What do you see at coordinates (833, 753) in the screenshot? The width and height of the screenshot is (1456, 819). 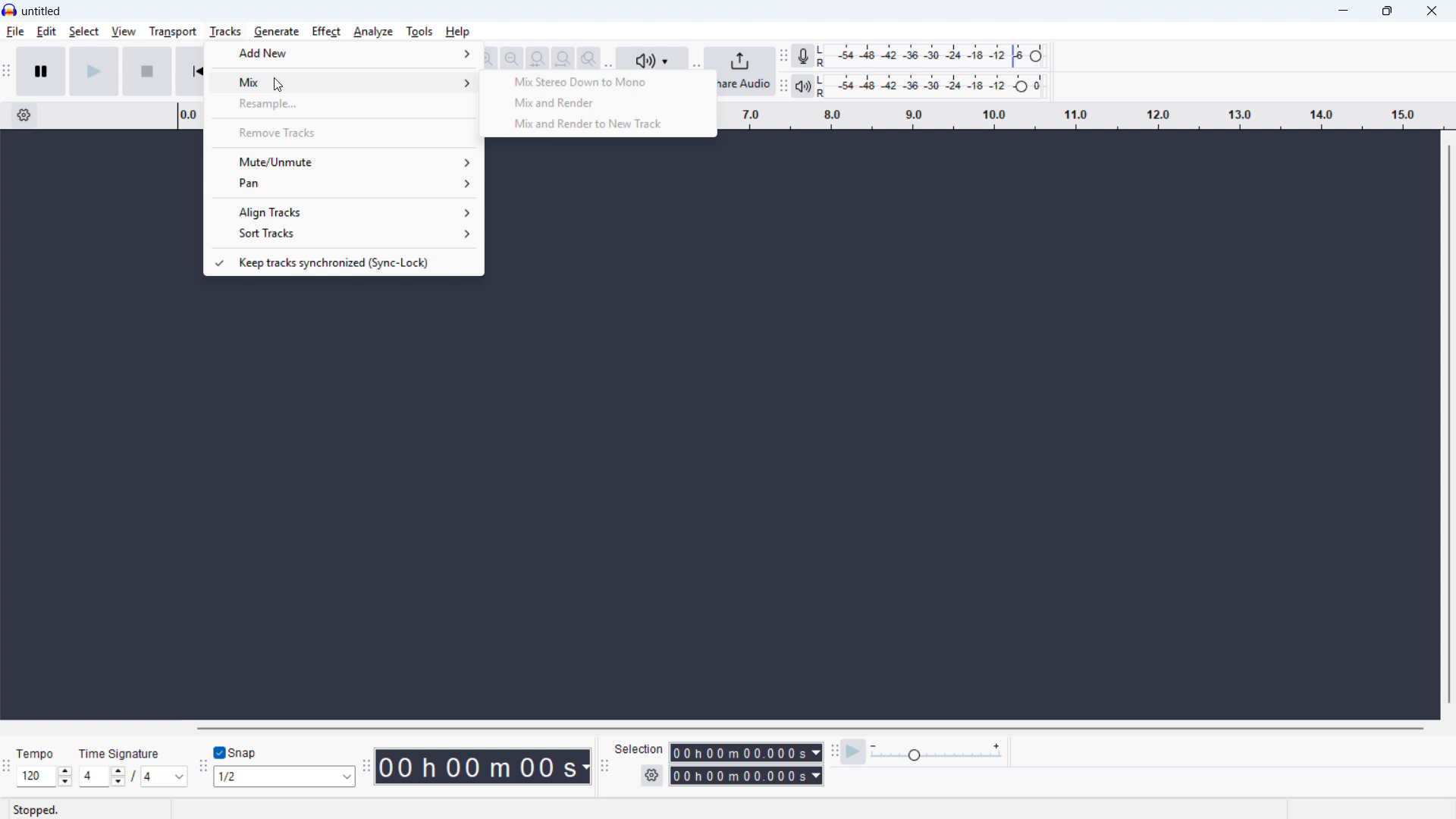 I see `Play at speed toolbar ` at bounding box center [833, 753].